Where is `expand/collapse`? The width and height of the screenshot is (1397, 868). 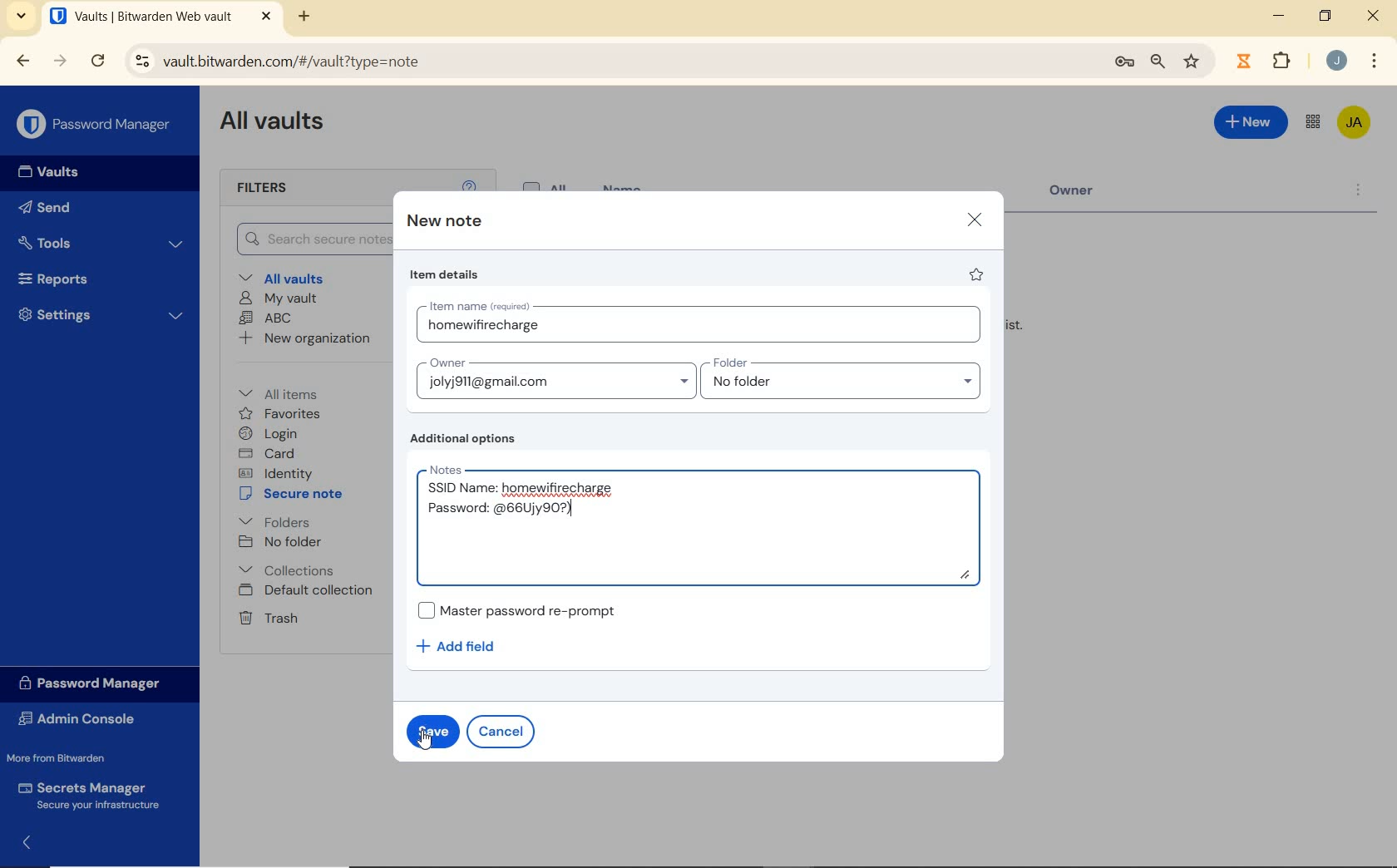 expand/collapse is located at coordinates (22, 846).